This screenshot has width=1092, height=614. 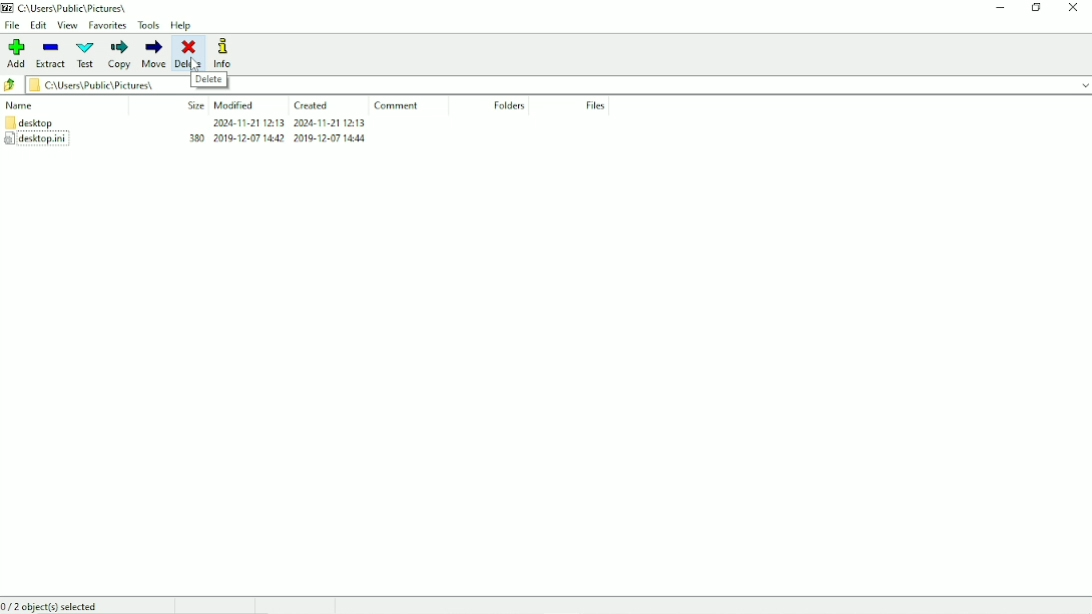 I want to click on desktop.ini, so click(x=50, y=138).